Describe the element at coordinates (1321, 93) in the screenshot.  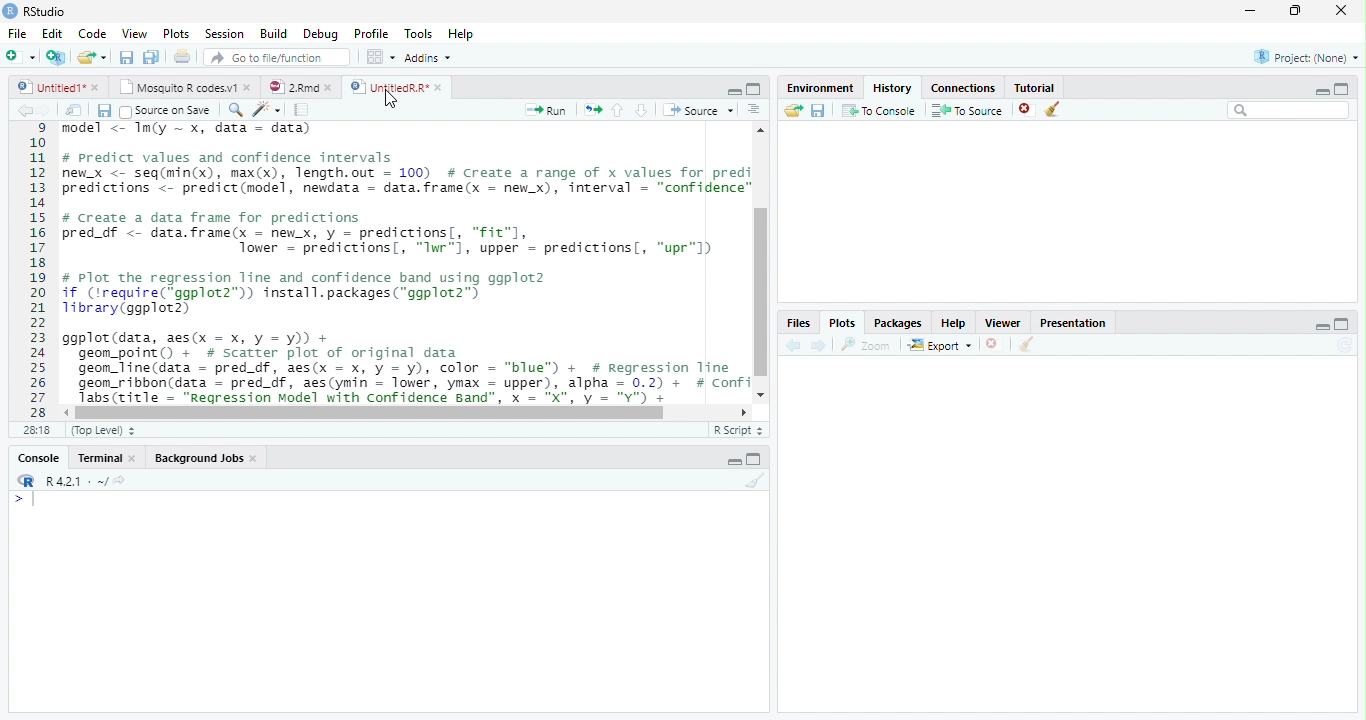
I see `Minimize` at that location.